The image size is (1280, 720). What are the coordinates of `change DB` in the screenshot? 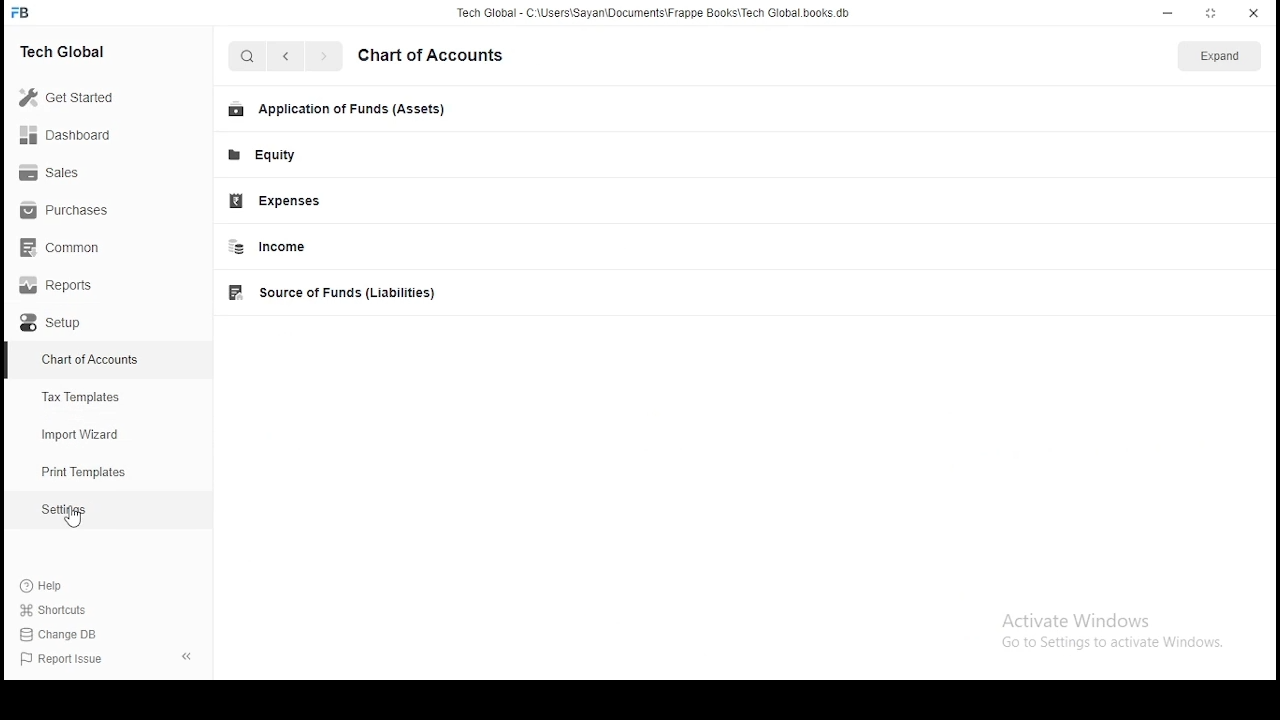 It's located at (54, 637).